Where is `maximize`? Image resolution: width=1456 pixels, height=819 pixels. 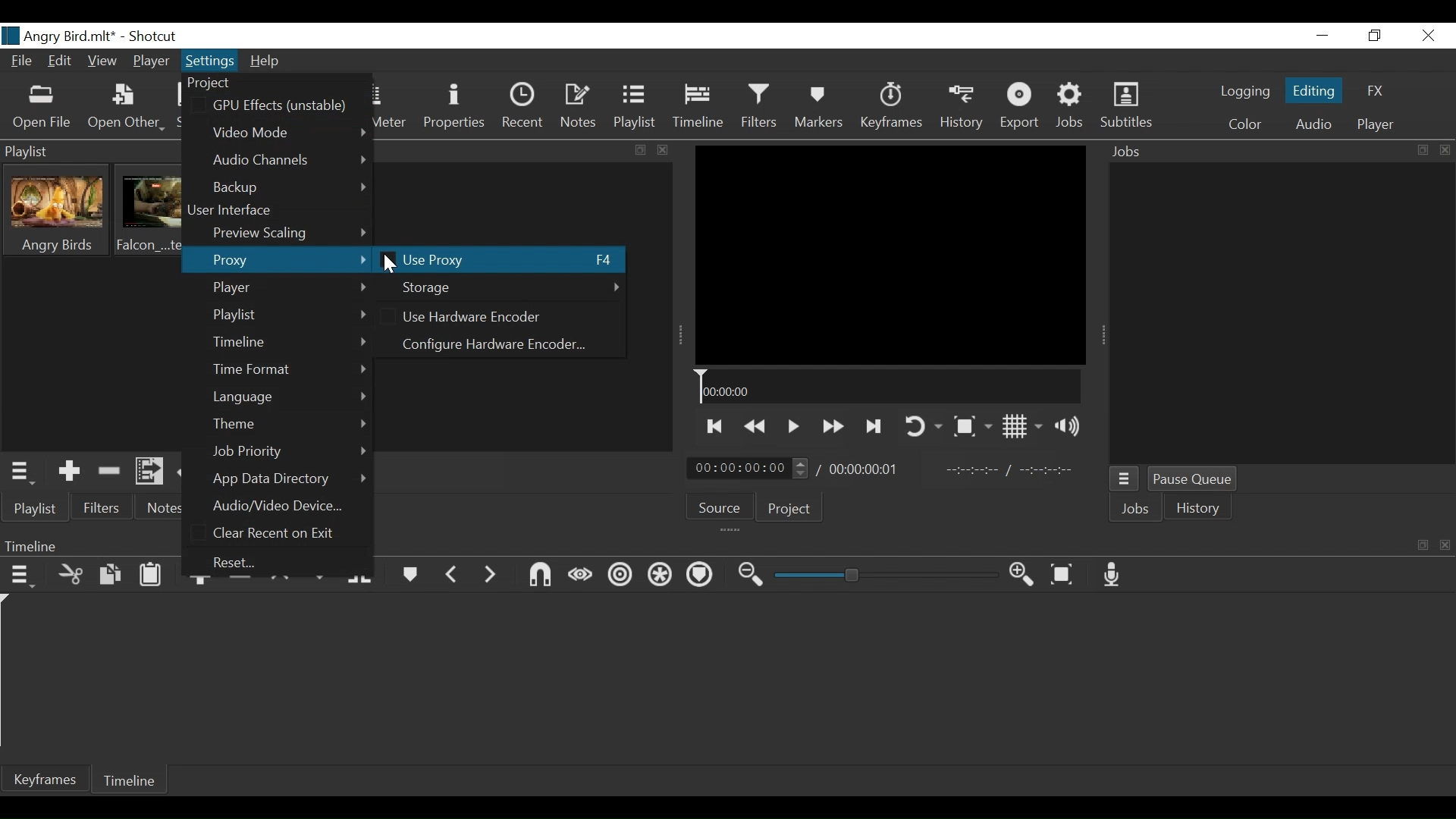 maximize is located at coordinates (1420, 548).